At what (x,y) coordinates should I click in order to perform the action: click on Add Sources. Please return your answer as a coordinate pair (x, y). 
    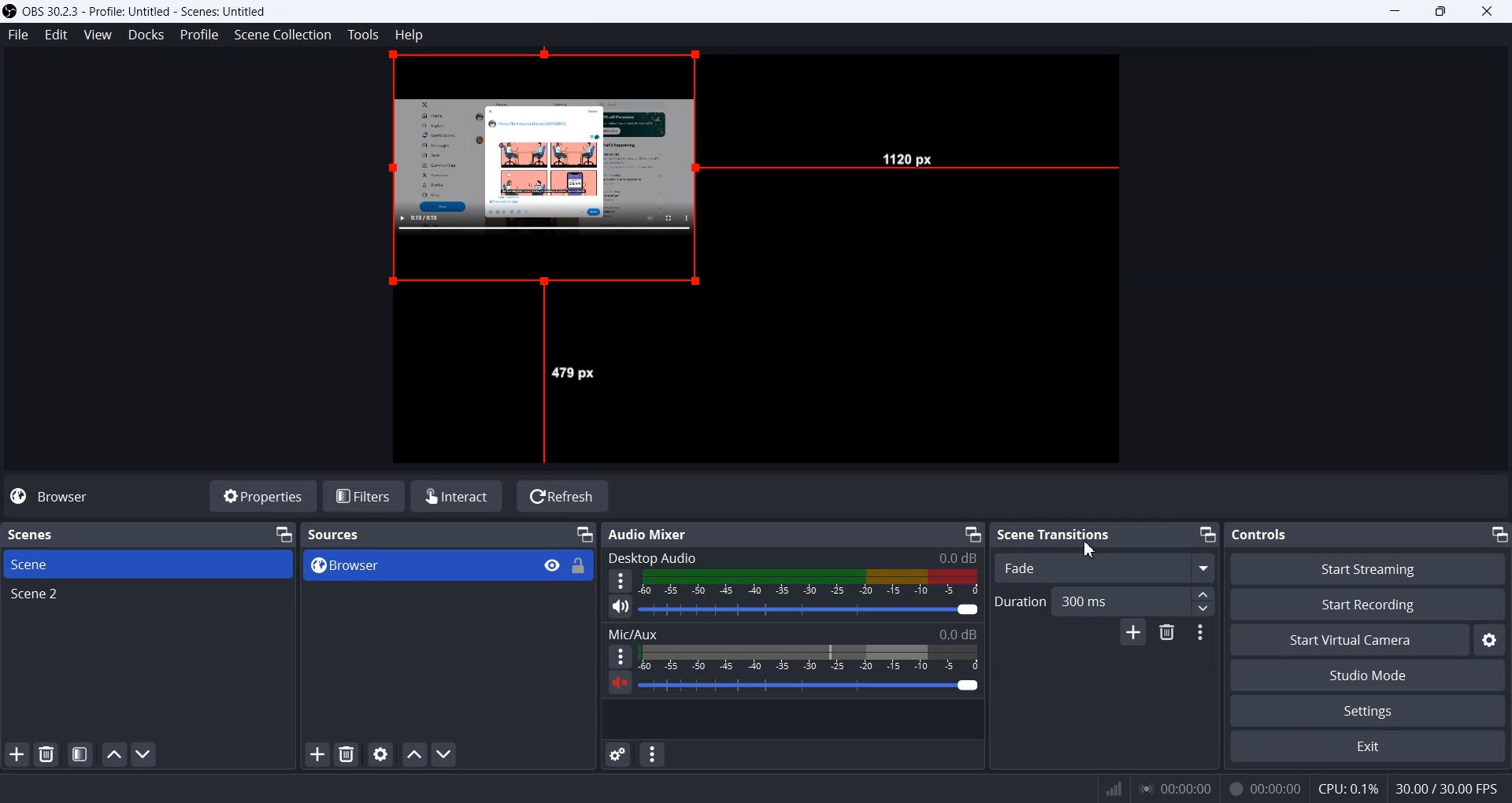
    Looking at the image, I should click on (316, 754).